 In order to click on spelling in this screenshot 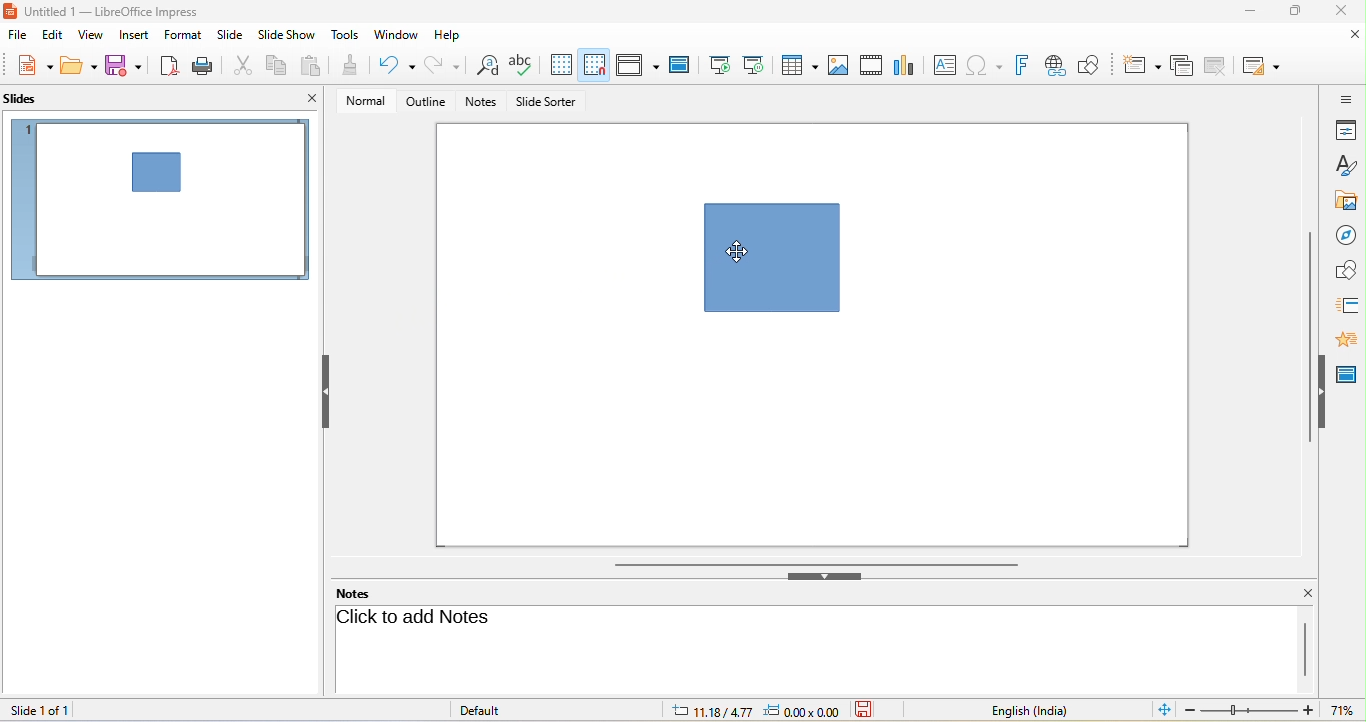, I will do `click(522, 63)`.